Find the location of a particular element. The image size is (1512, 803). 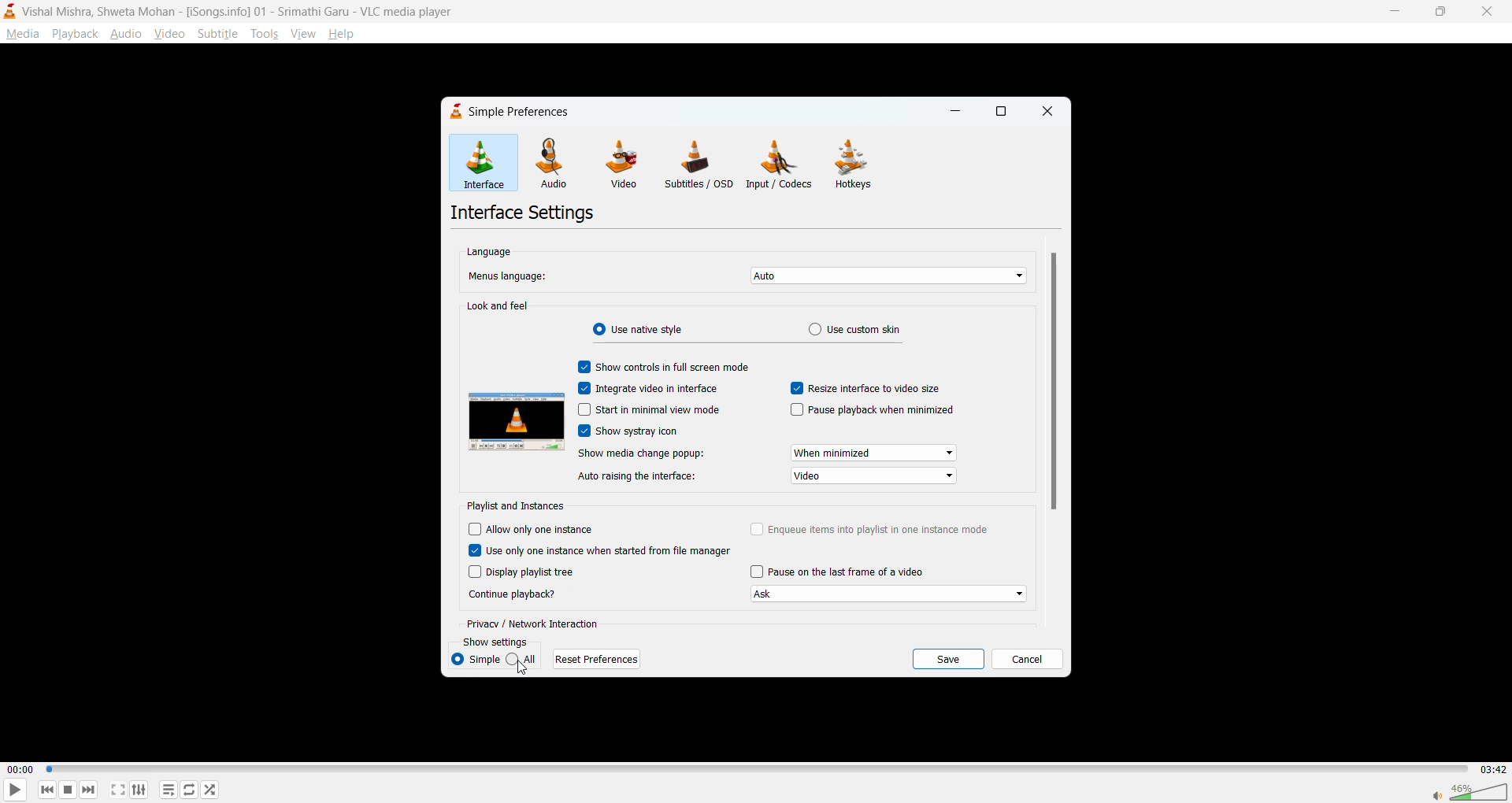

integrate video in interface is located at coordinates (650, 388).